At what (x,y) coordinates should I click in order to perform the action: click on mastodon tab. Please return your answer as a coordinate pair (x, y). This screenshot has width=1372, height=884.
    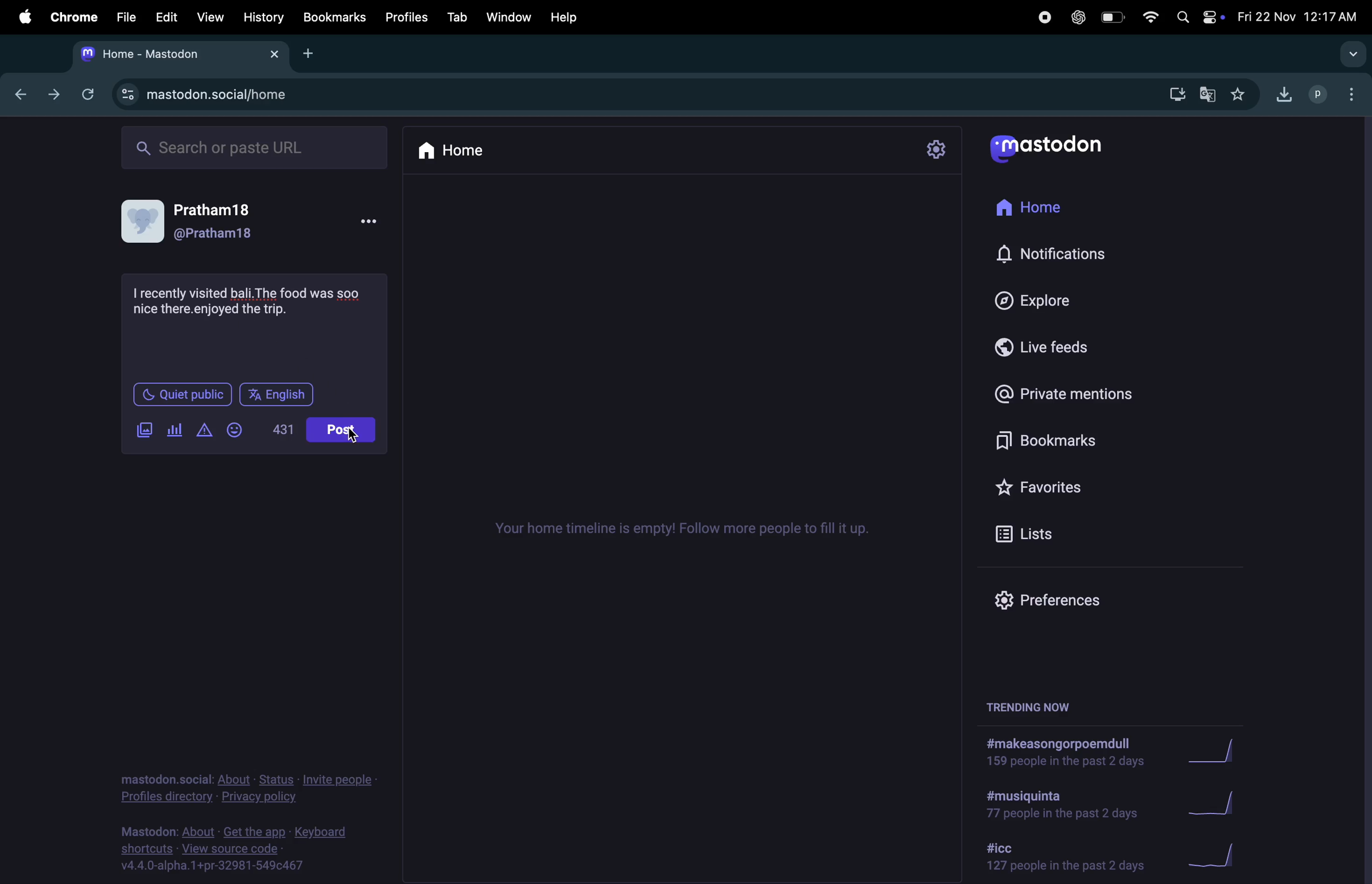
    Looking at the image, I should click on (181, 57).